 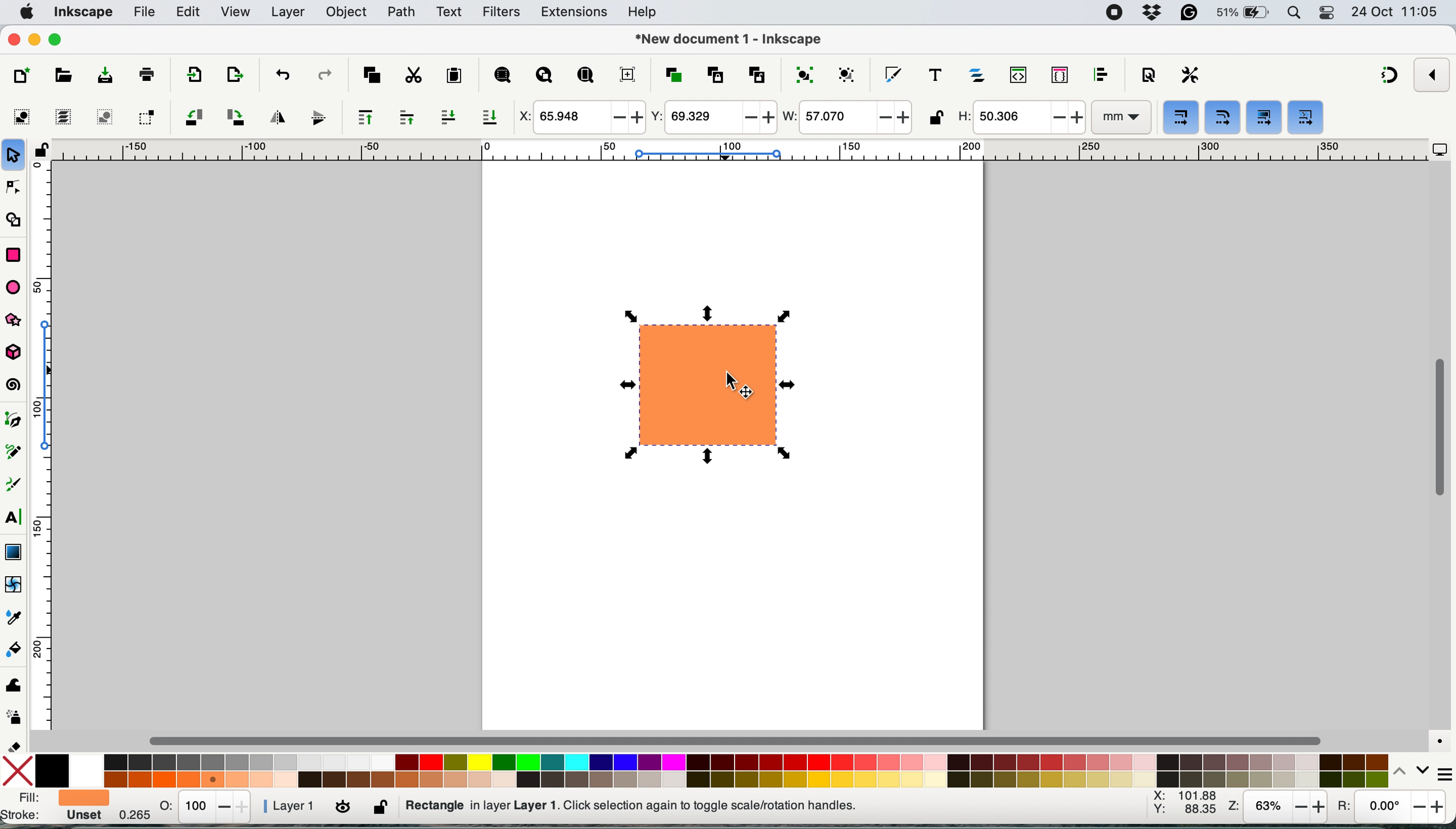 What do you see at coordinates (1391, 76) in the screenshot?
I see `snapping` at bounding box center [1391, 76].